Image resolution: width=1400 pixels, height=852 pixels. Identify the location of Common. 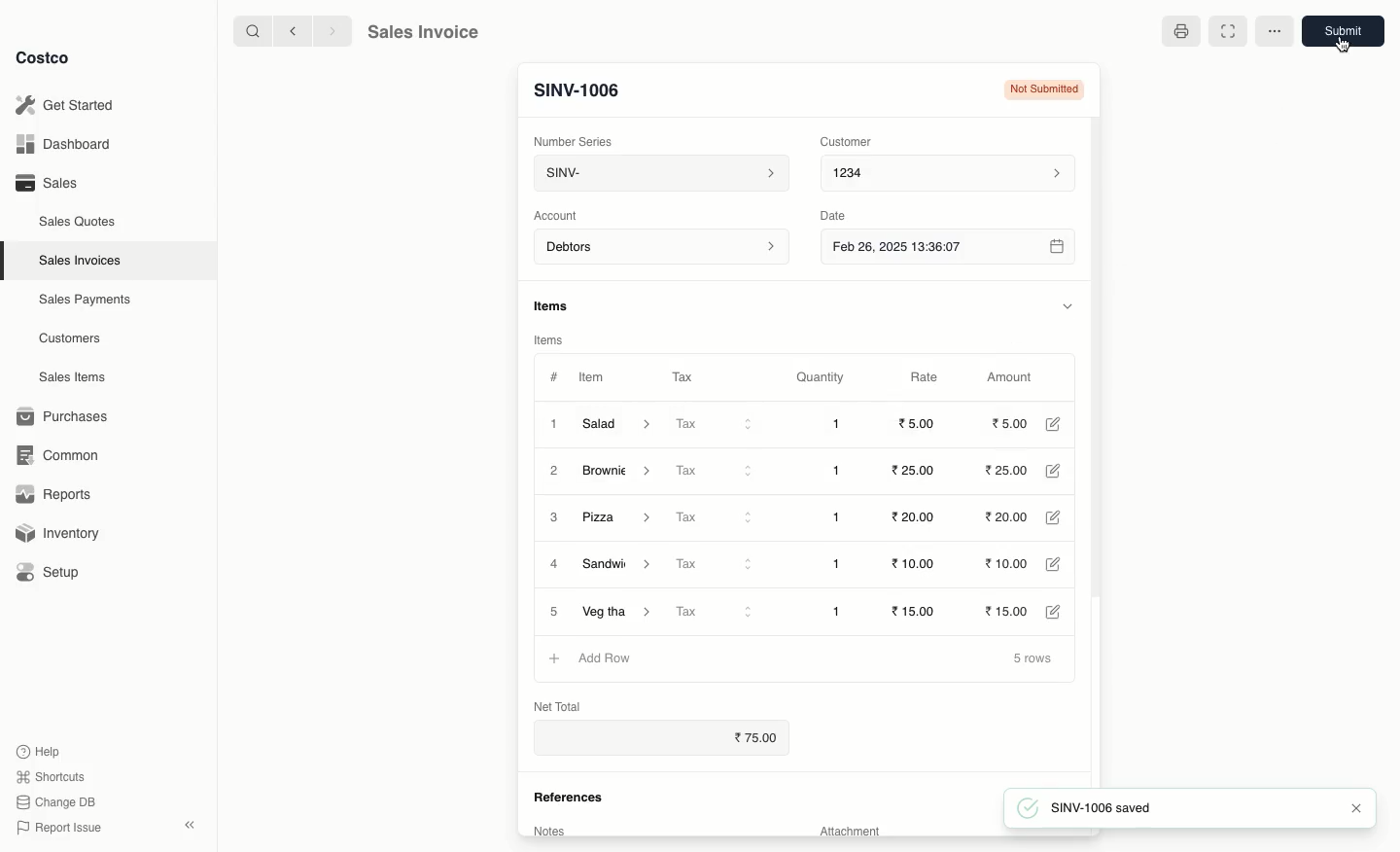
(66, 455).